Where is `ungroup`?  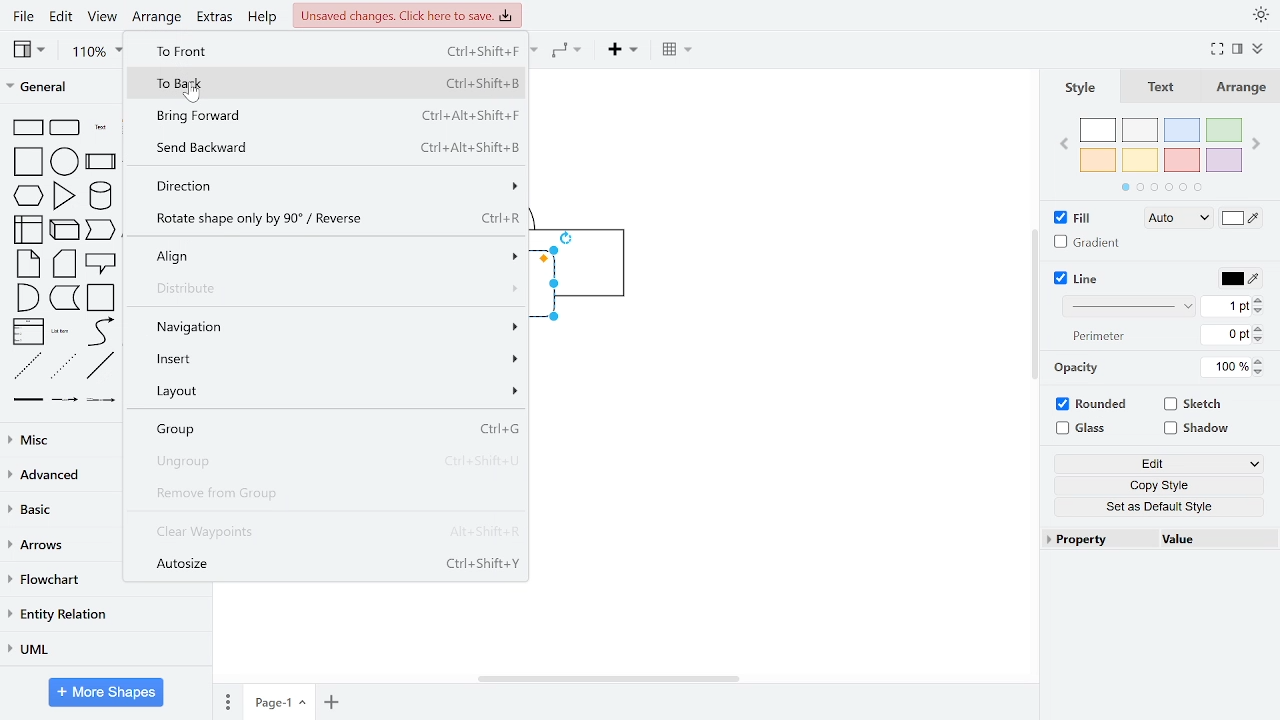 ungroup is located at coordinates (331, 459).